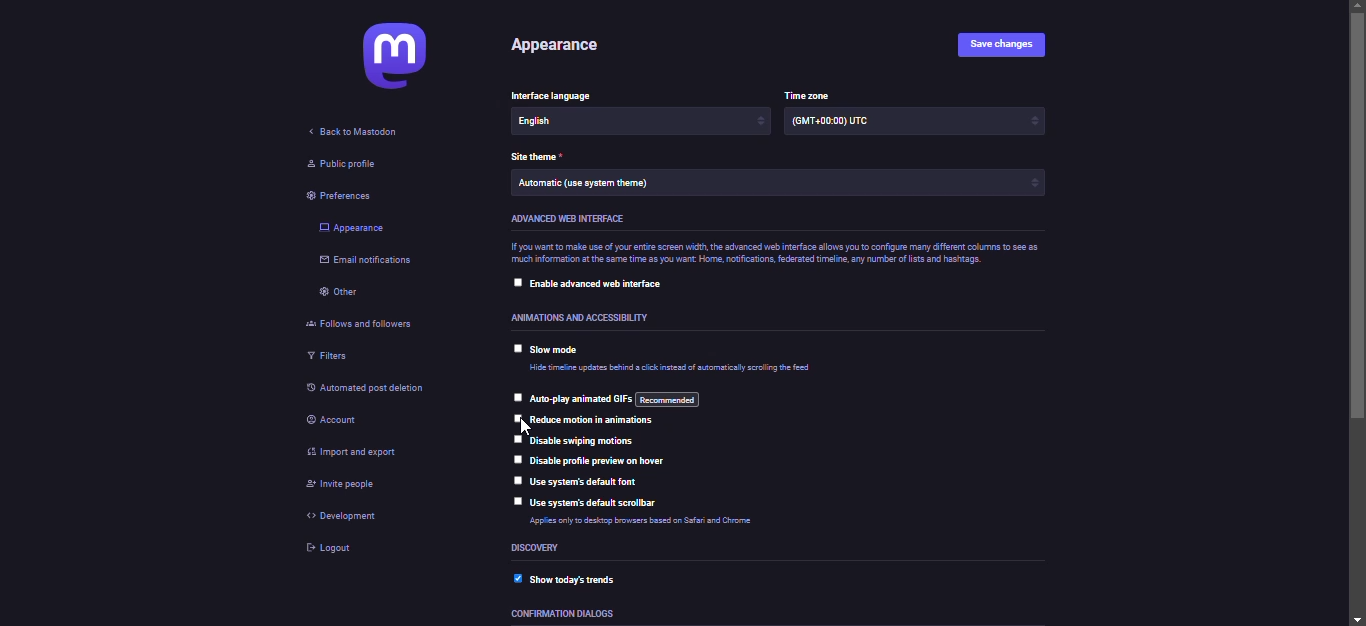 This screenshot has width=1366, height=626. Describe the element at coordinates (353, 229) in the screenshot. I see `appearance` at that location.